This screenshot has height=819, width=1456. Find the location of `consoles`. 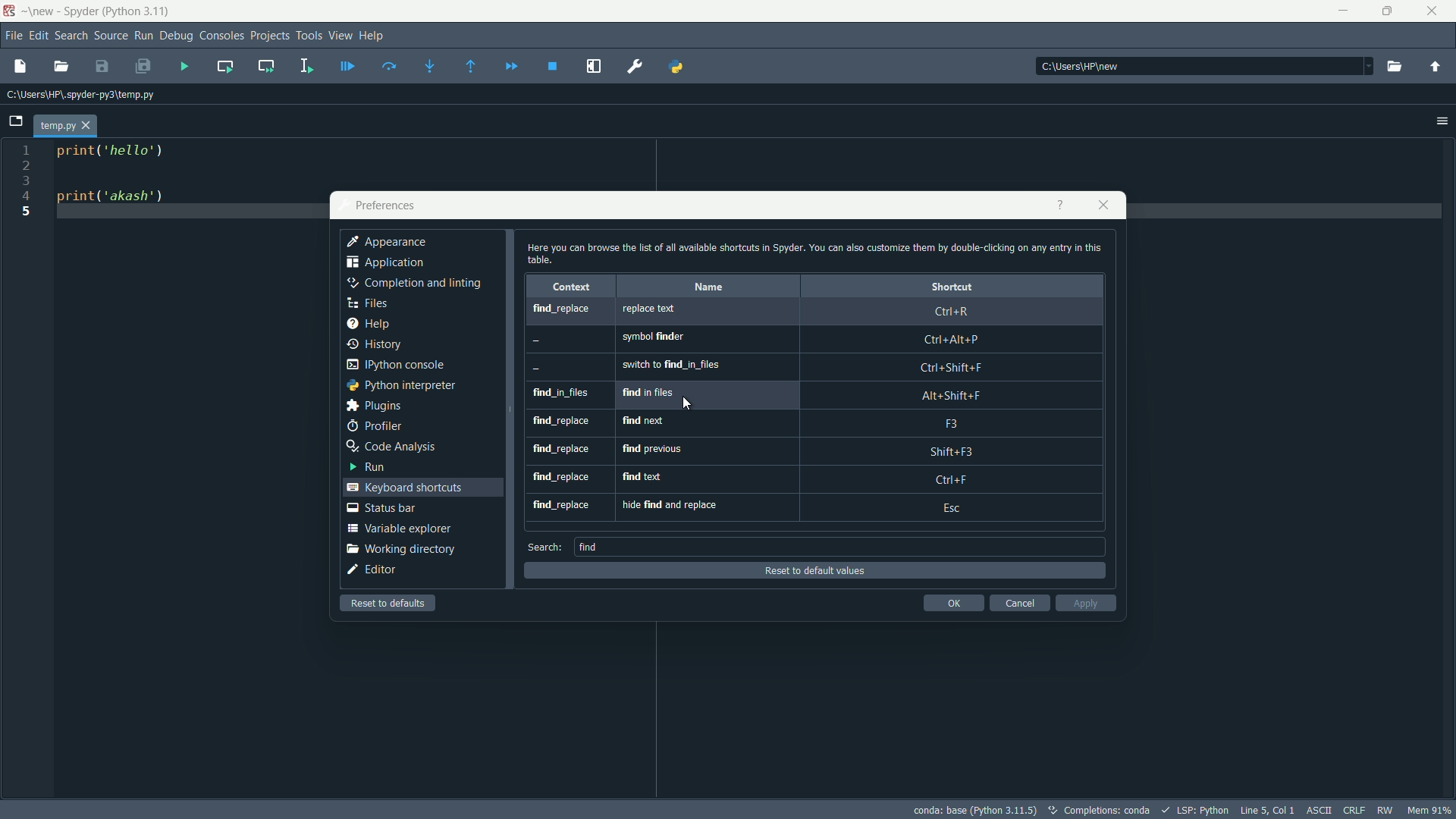

consoles is located at coordinates (218, 34).